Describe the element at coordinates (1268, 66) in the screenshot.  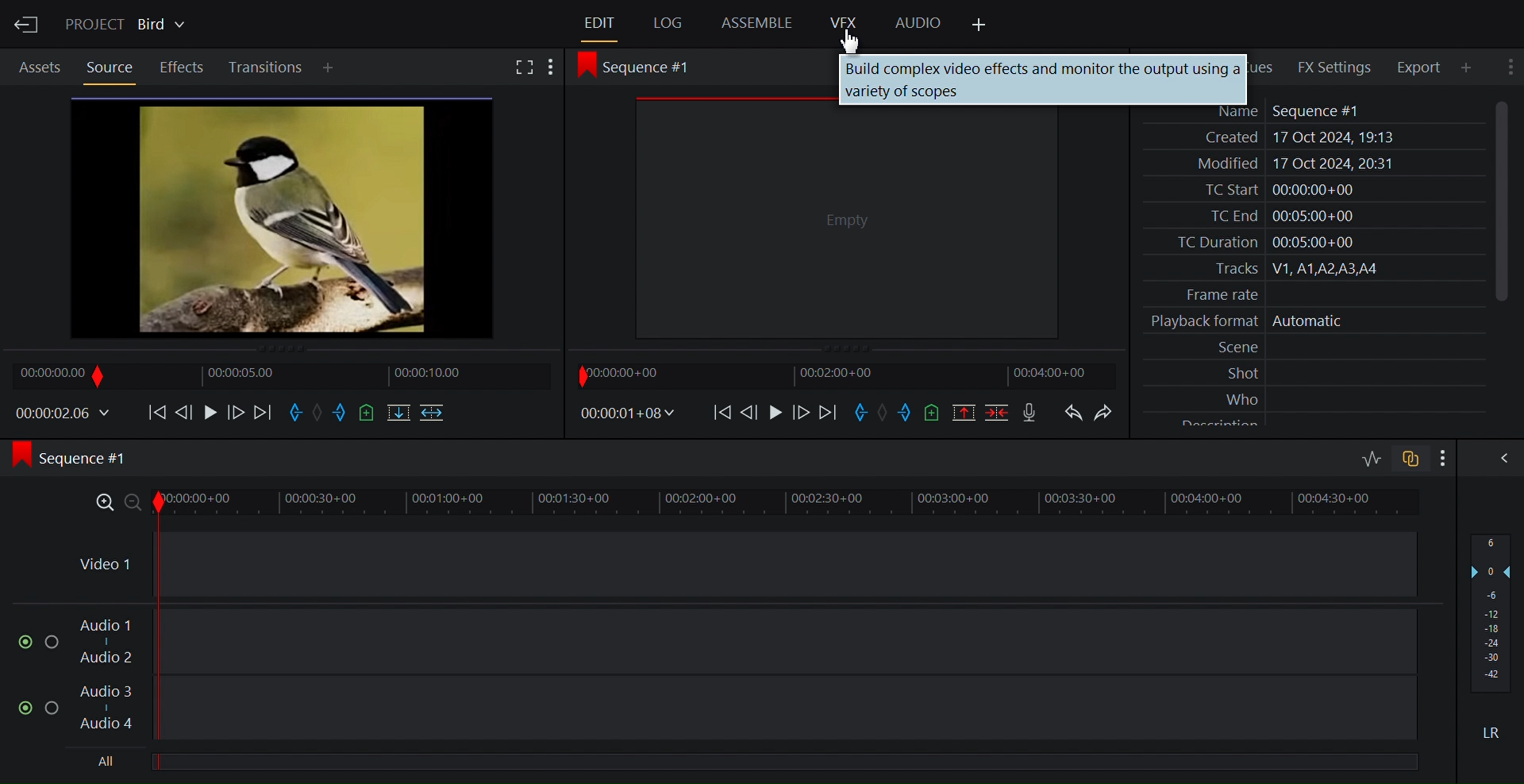
I see `Cues` at that location.